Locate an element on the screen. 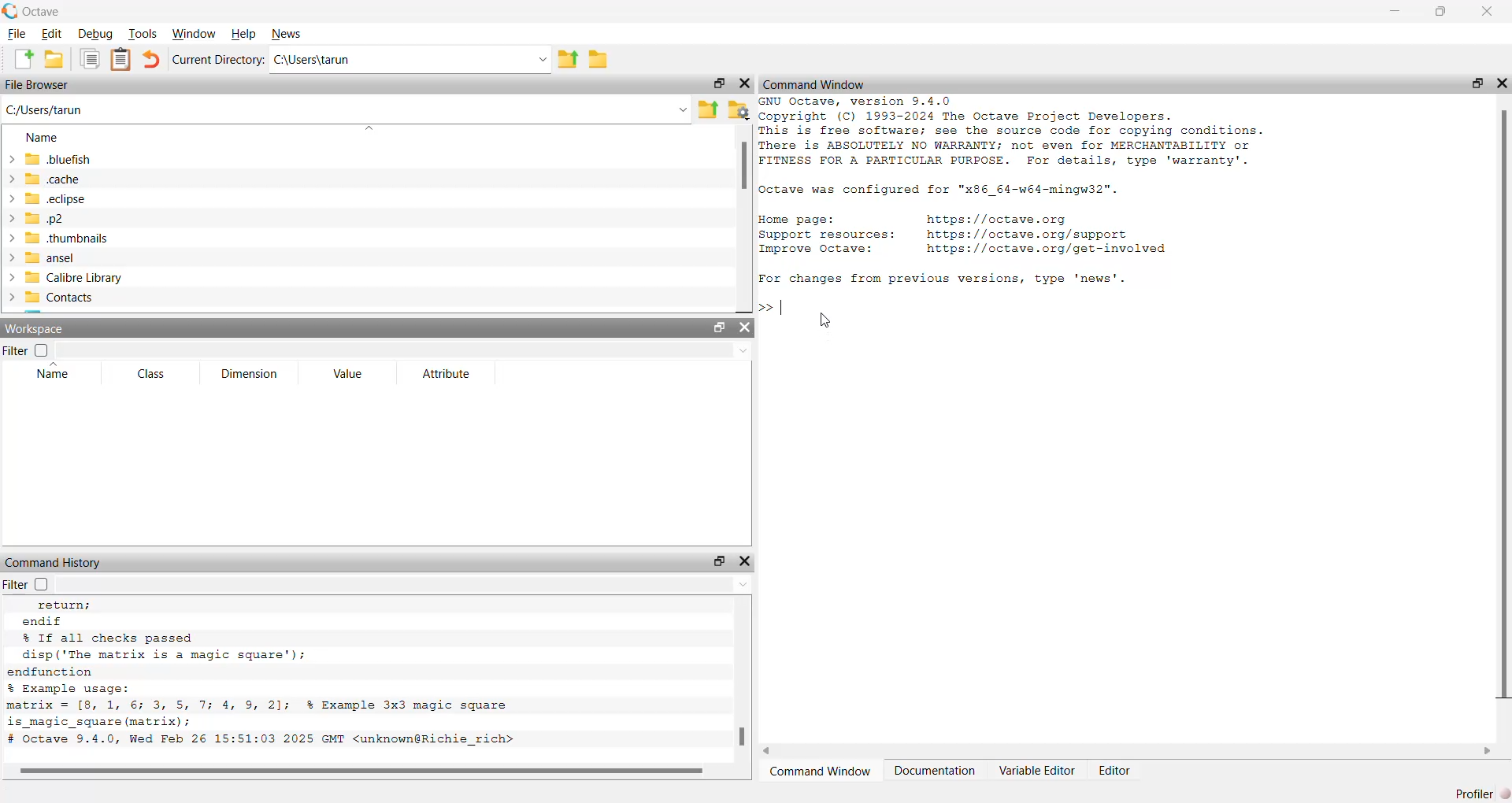 This screenshot has height=803, width=1512. New folder is located at coordinates (54, 59).